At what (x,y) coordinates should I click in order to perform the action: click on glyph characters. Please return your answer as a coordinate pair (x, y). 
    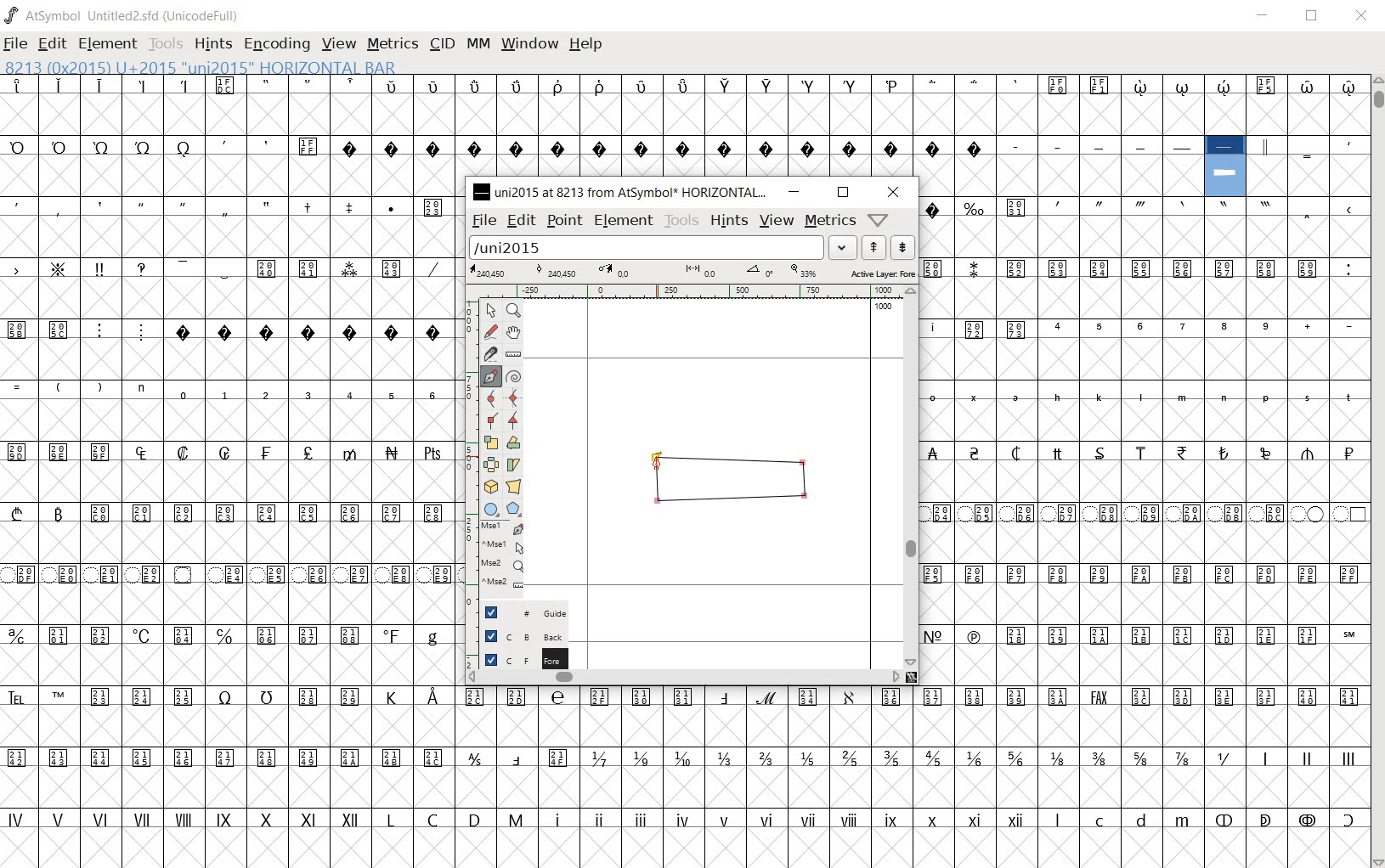
    Looking at the image, I should click on (914, 775).